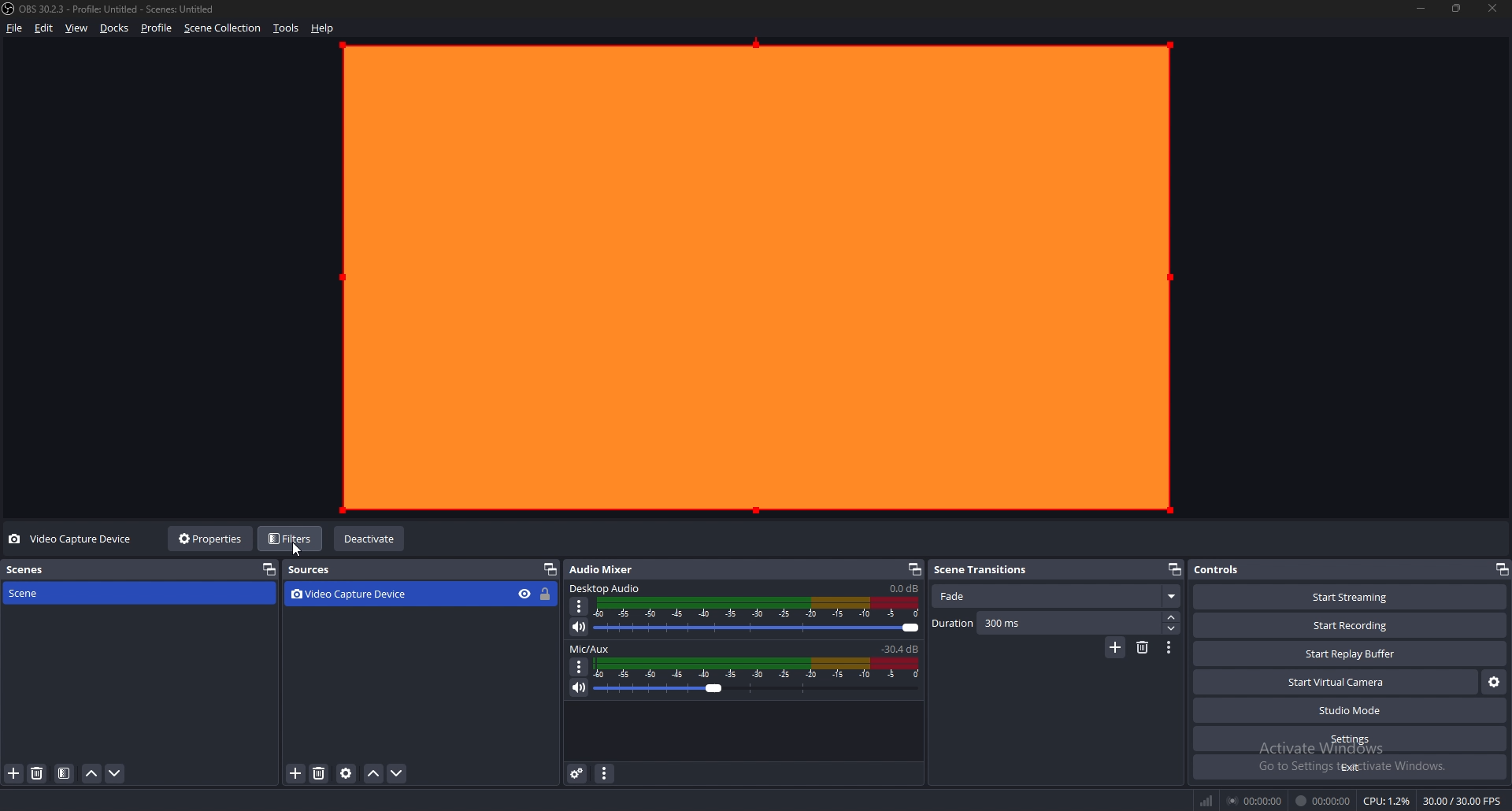  What do you see at coordinates (353, 595) in the screenshot?
I see `video capture device` at bounding box center [353, 595].